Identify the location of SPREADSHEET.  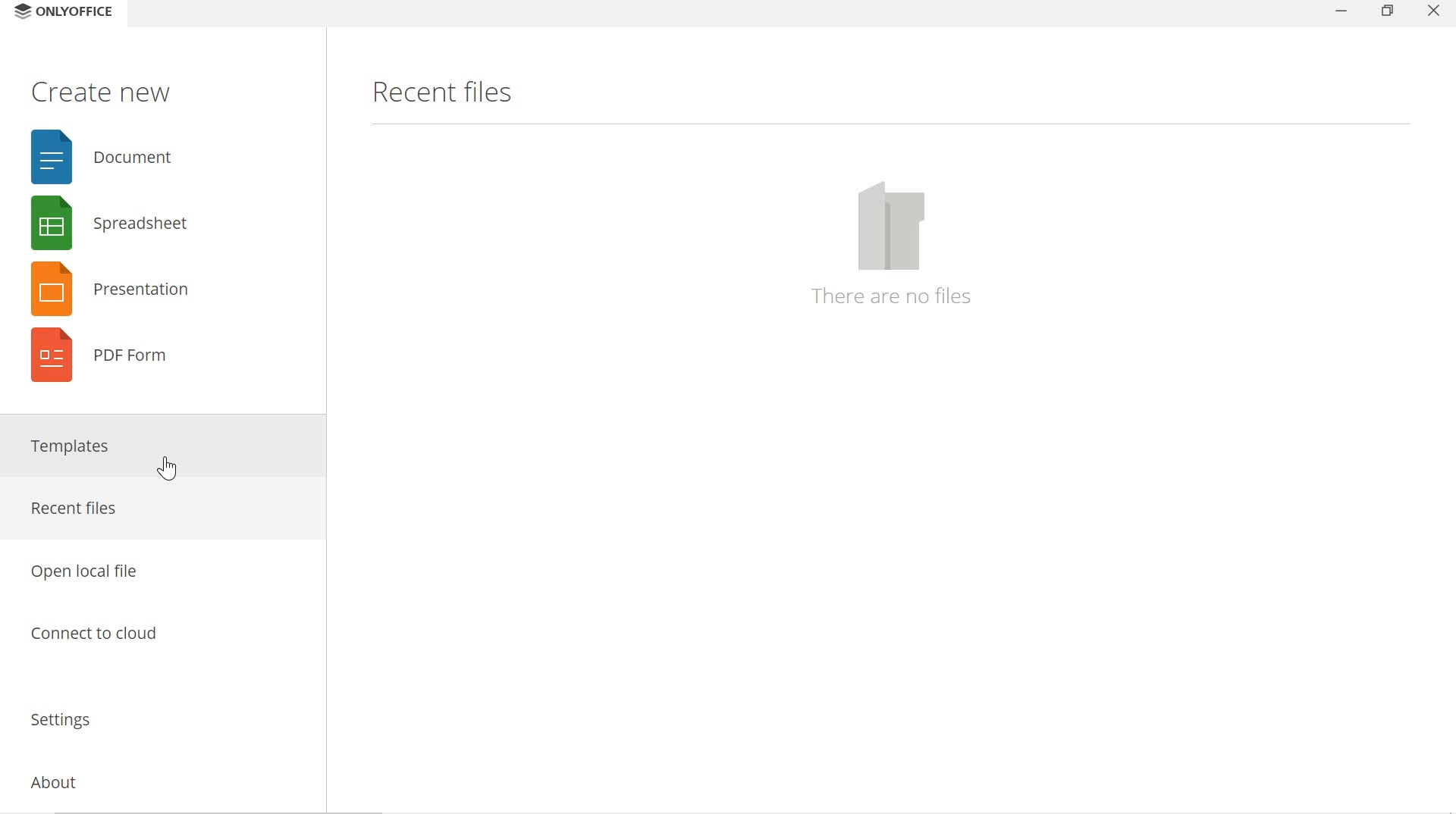
(104, 221).